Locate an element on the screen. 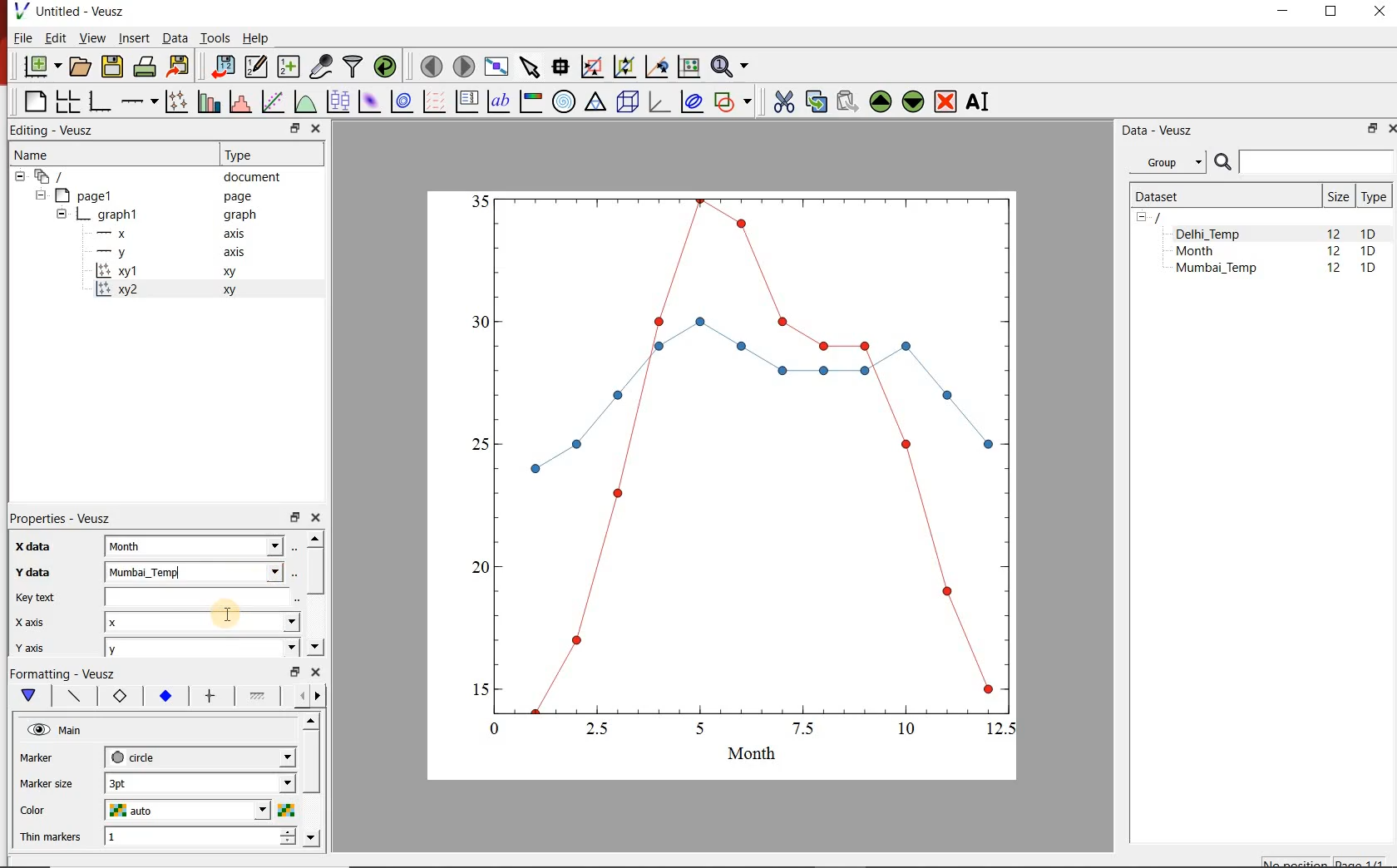  input field is located at coordinates (204, 596).